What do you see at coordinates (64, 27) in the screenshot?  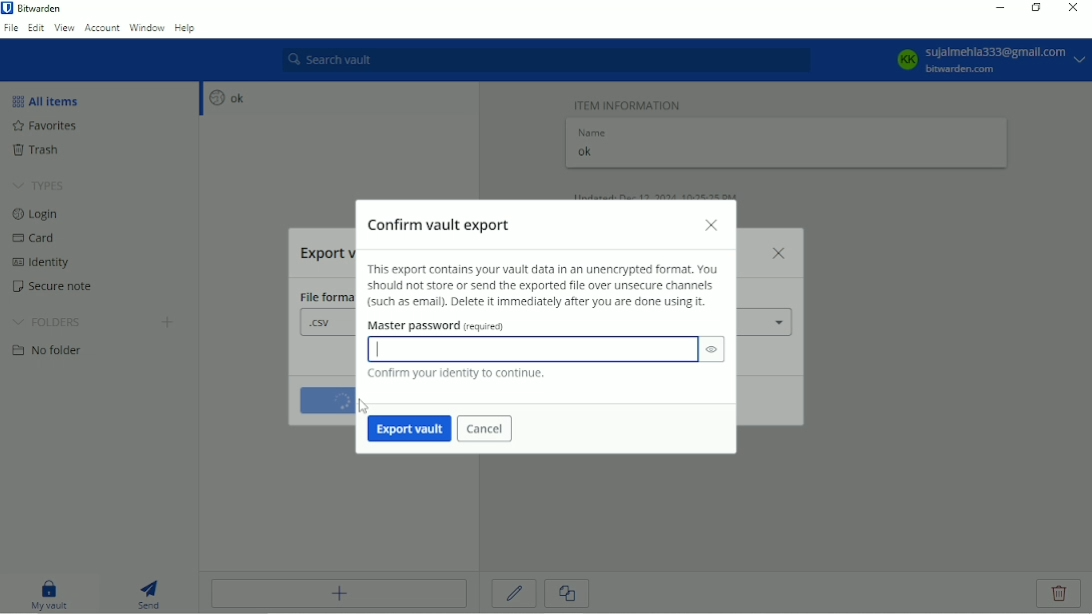 I see `View` at bounding box center [64, 27].